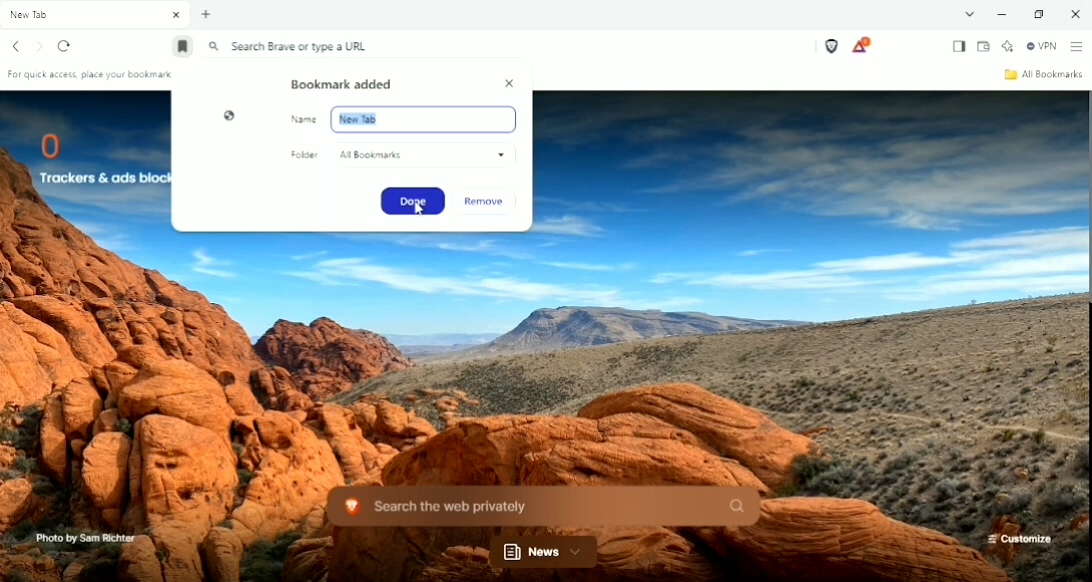 The image size is (1092, 582). Describe the element at coordinates (93, 77) in the screenshot. I see `For quick access, place your bookmarks here on the bookmarks bar.  Import bookmarks now` at that location.